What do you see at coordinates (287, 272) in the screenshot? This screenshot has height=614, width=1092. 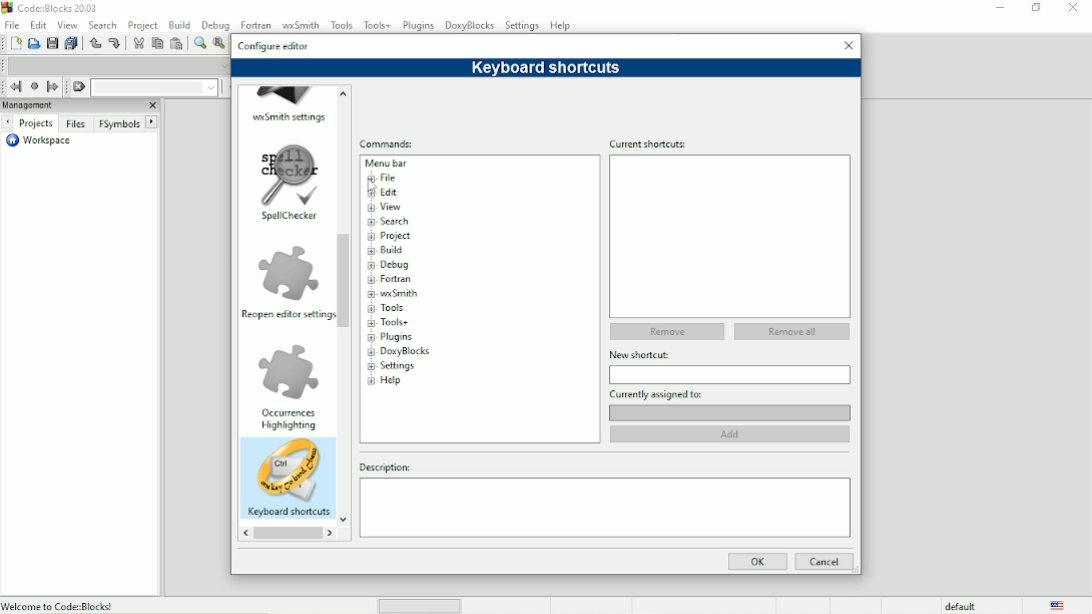 I see `Image` at bounding box center [287, 272].